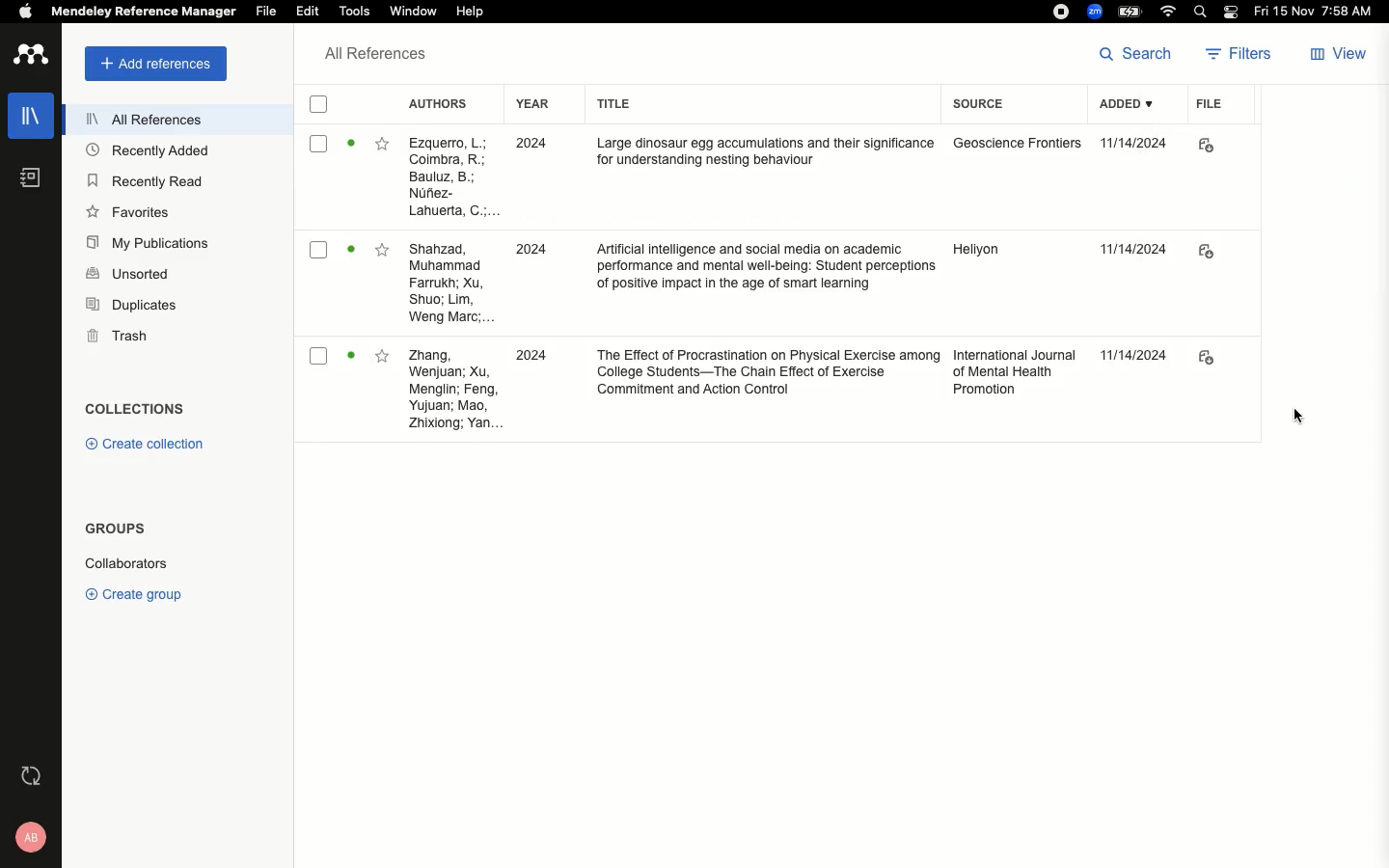 The height and width of the screenshot is (868, 1389). What do you see at coordinates (30, 56) in the screenshot?
I see `Logo` at bounding box center [30, 56].